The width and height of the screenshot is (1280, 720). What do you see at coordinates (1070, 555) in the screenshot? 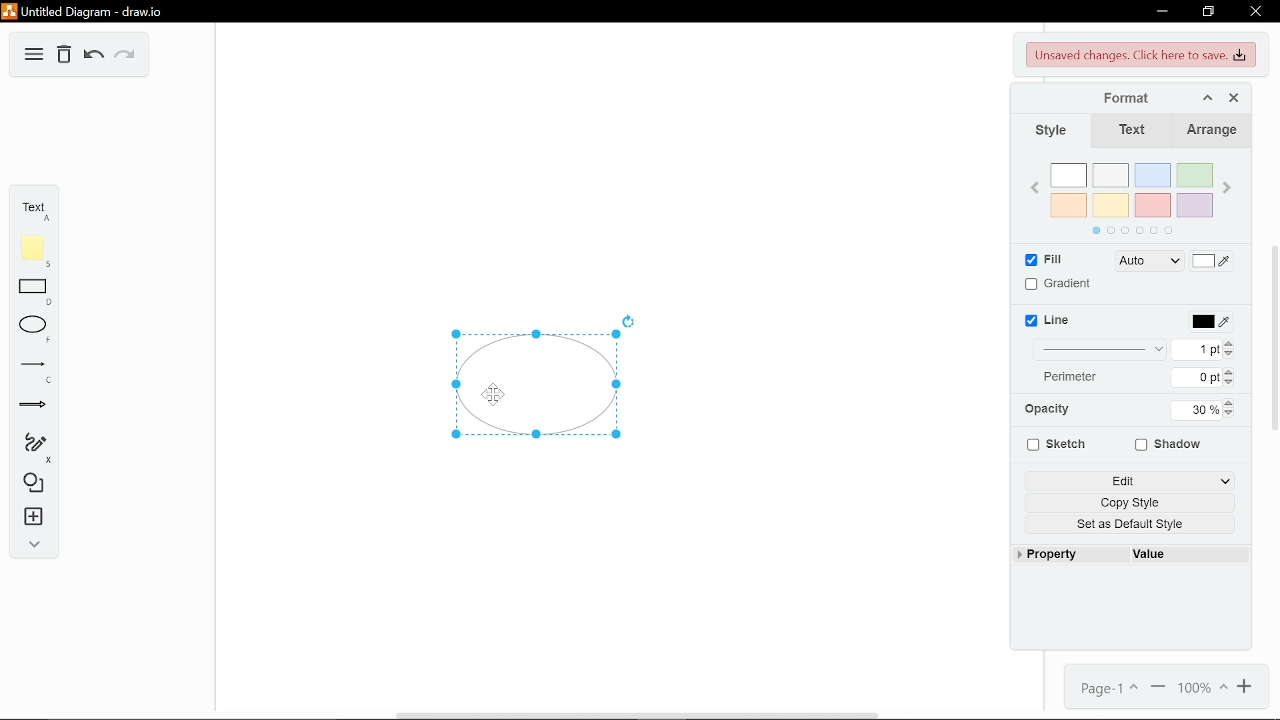
I see `Property` at bounding box center [1070, 555].